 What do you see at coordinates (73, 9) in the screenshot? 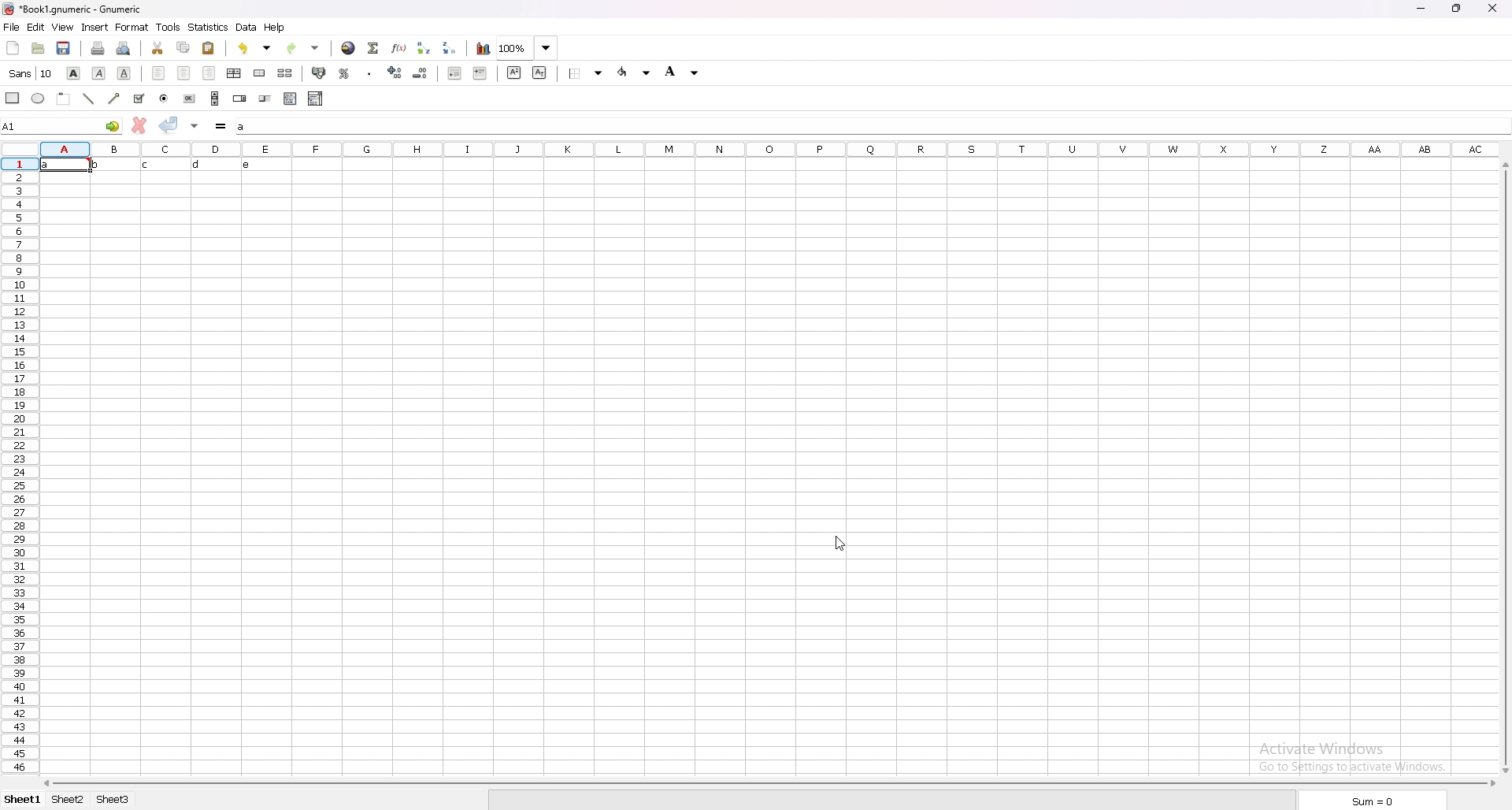
I see `file name` at bounding box center [73, 9].